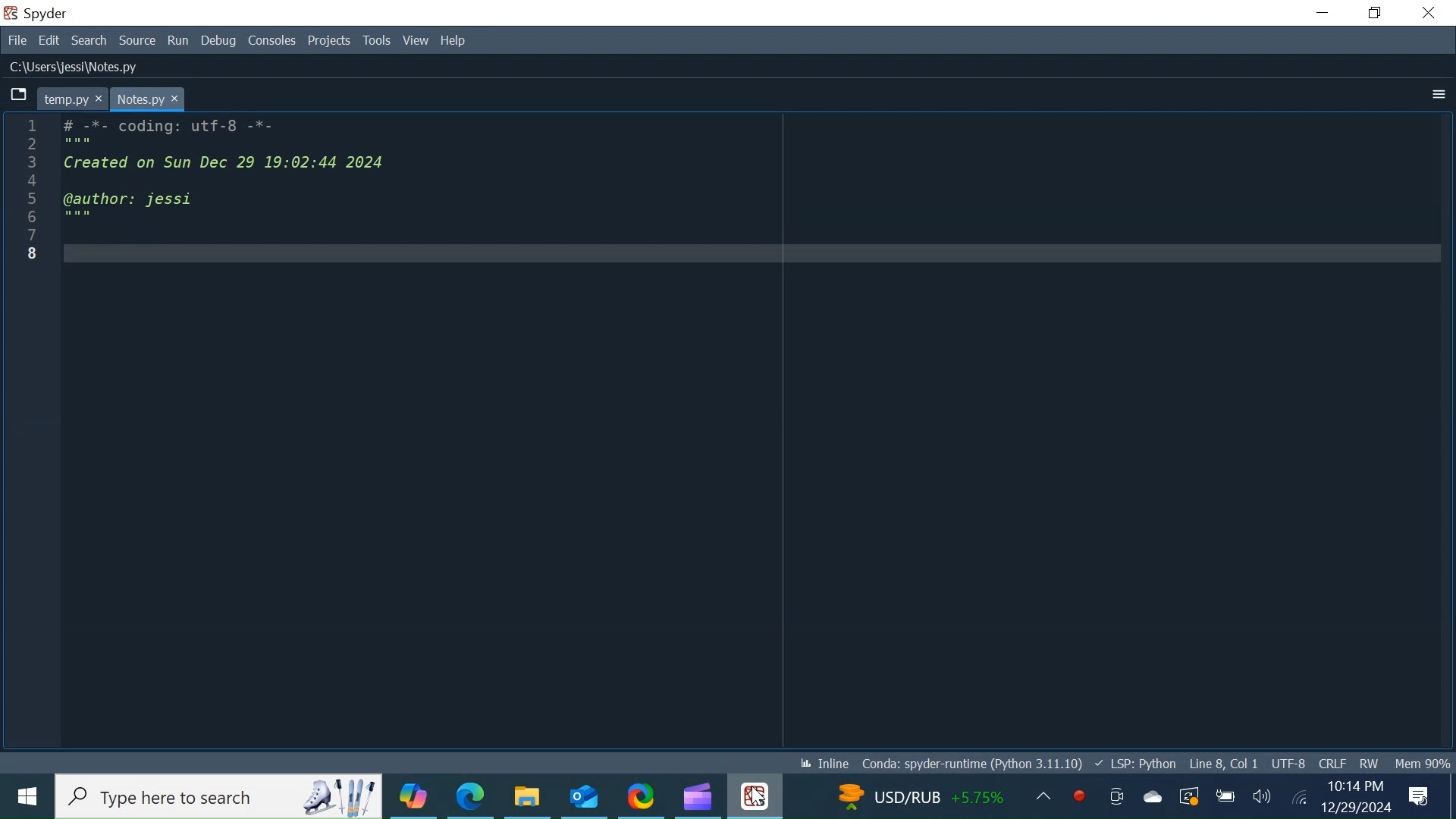 This screenshot has height=819, width=1456. I want to click on Internet Connectivity, so click(1298, 794).